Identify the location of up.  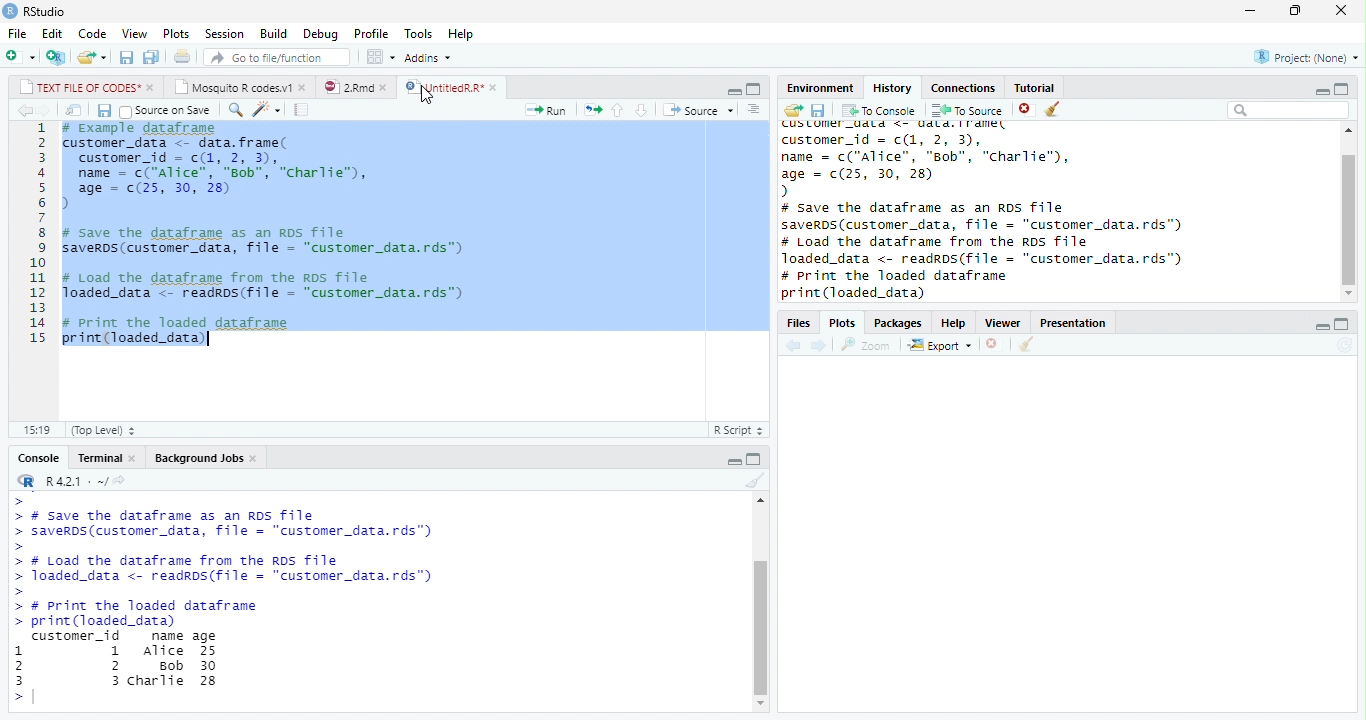
(618, 111).